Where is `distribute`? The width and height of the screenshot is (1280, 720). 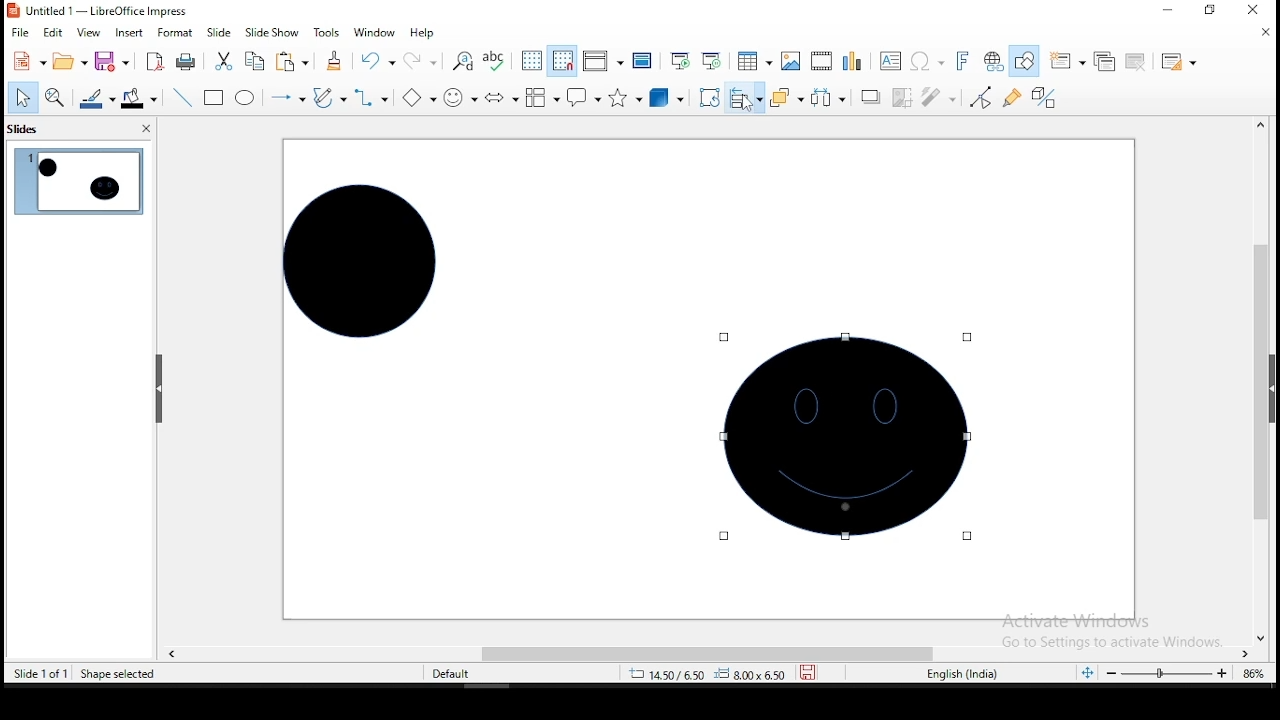
distribute is located at coordinates (827, 98).